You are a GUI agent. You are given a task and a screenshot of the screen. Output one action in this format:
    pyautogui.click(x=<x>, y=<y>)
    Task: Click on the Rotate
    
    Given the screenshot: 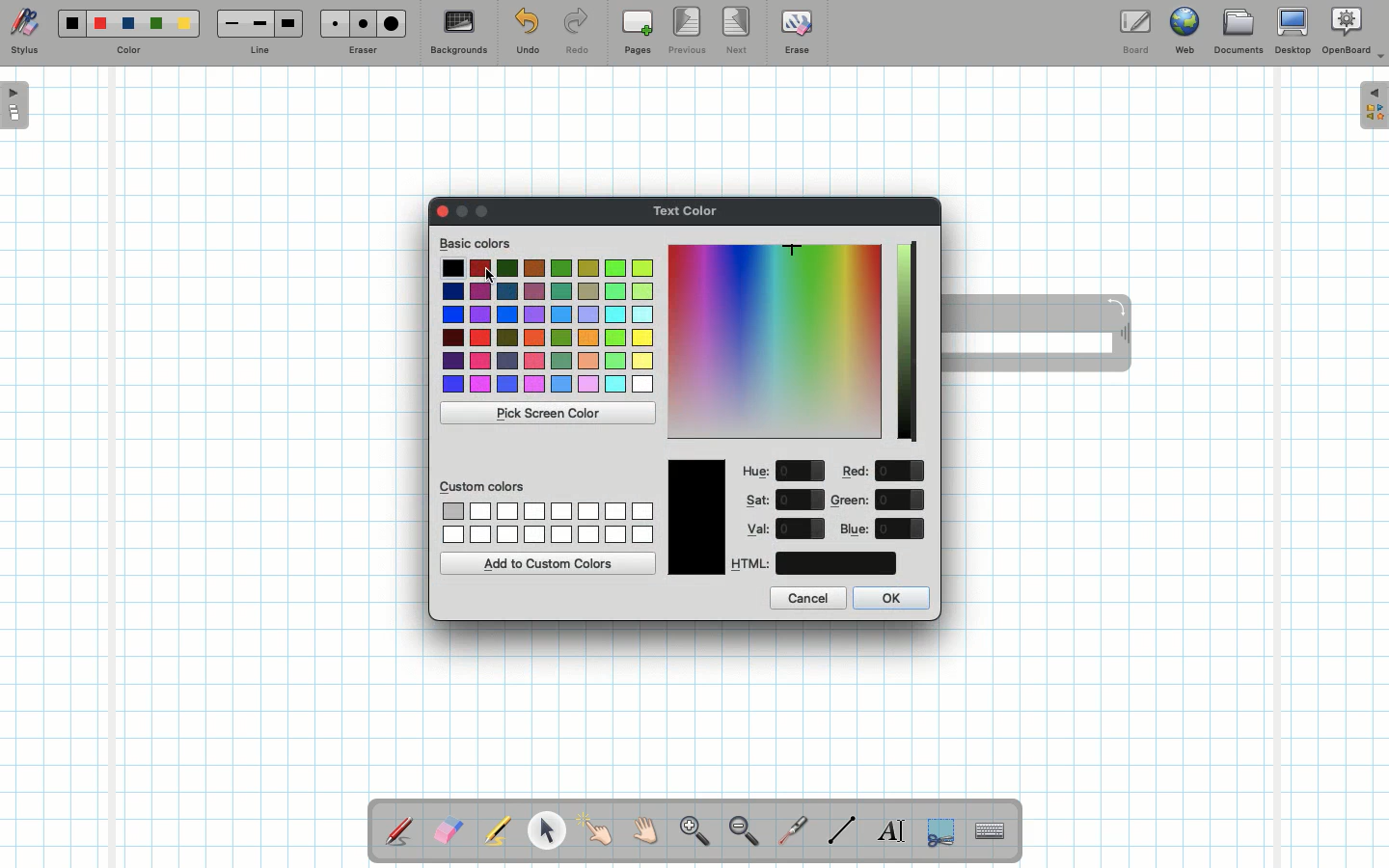 What is the action you would take?
    pyautogui.click(x=1116, y=306)
    